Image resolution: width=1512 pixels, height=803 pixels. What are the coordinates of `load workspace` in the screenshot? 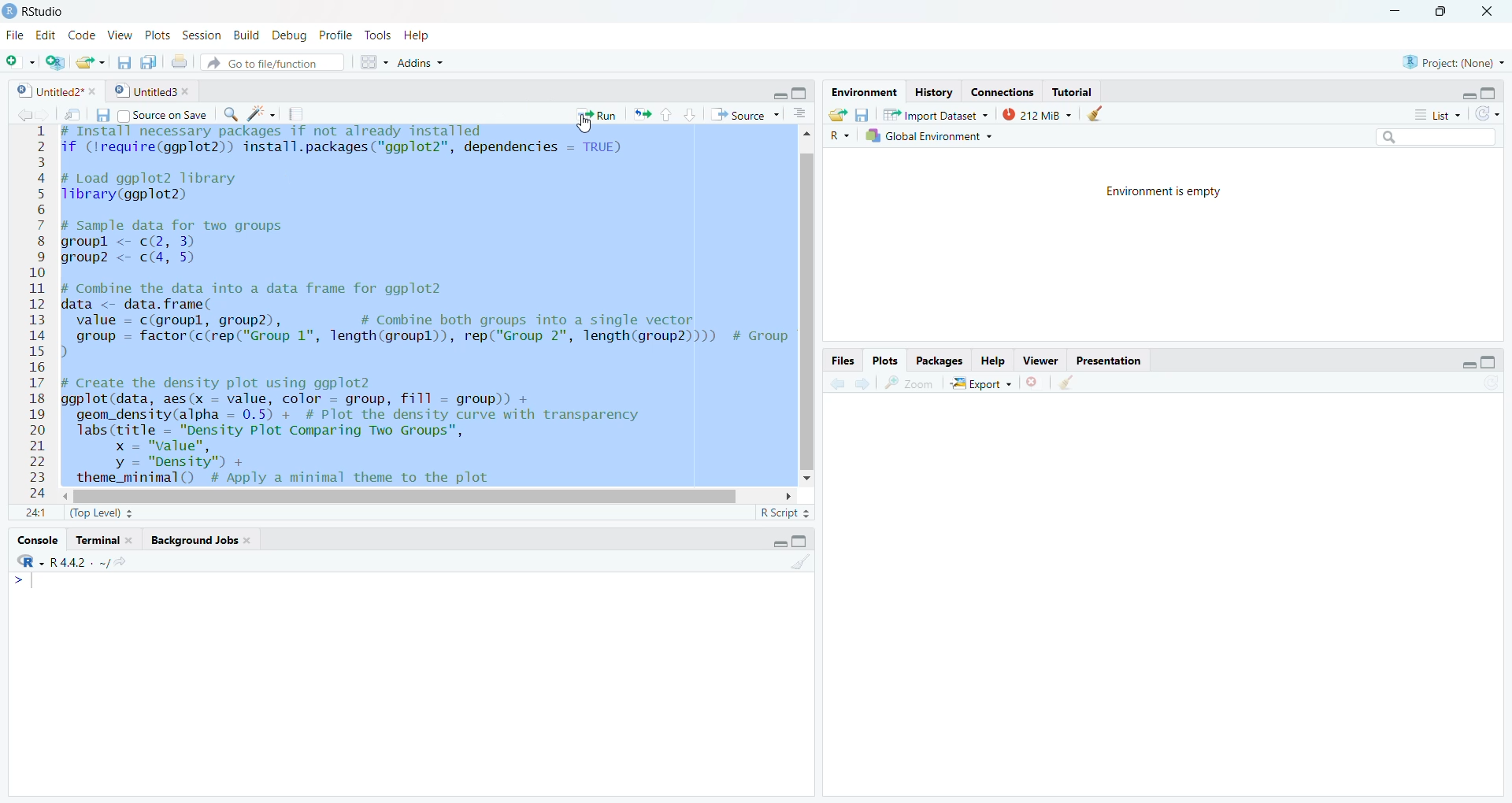 It's located at (838, 115).